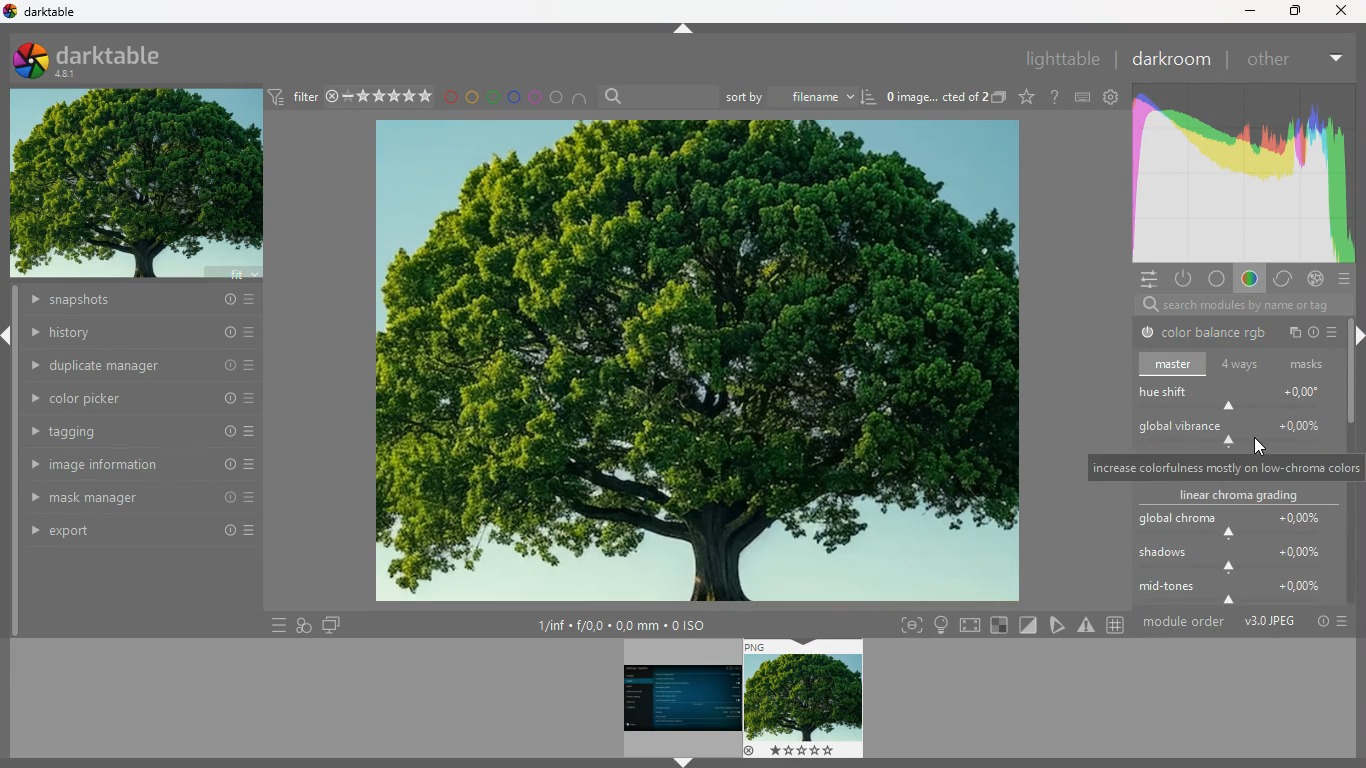 Image resolution: width=1366 pixels, height=768 pixels. What do you see at coordinates (1205, 334) in the screenshot?
I see `color balance` at bounding box center [1205, 334].